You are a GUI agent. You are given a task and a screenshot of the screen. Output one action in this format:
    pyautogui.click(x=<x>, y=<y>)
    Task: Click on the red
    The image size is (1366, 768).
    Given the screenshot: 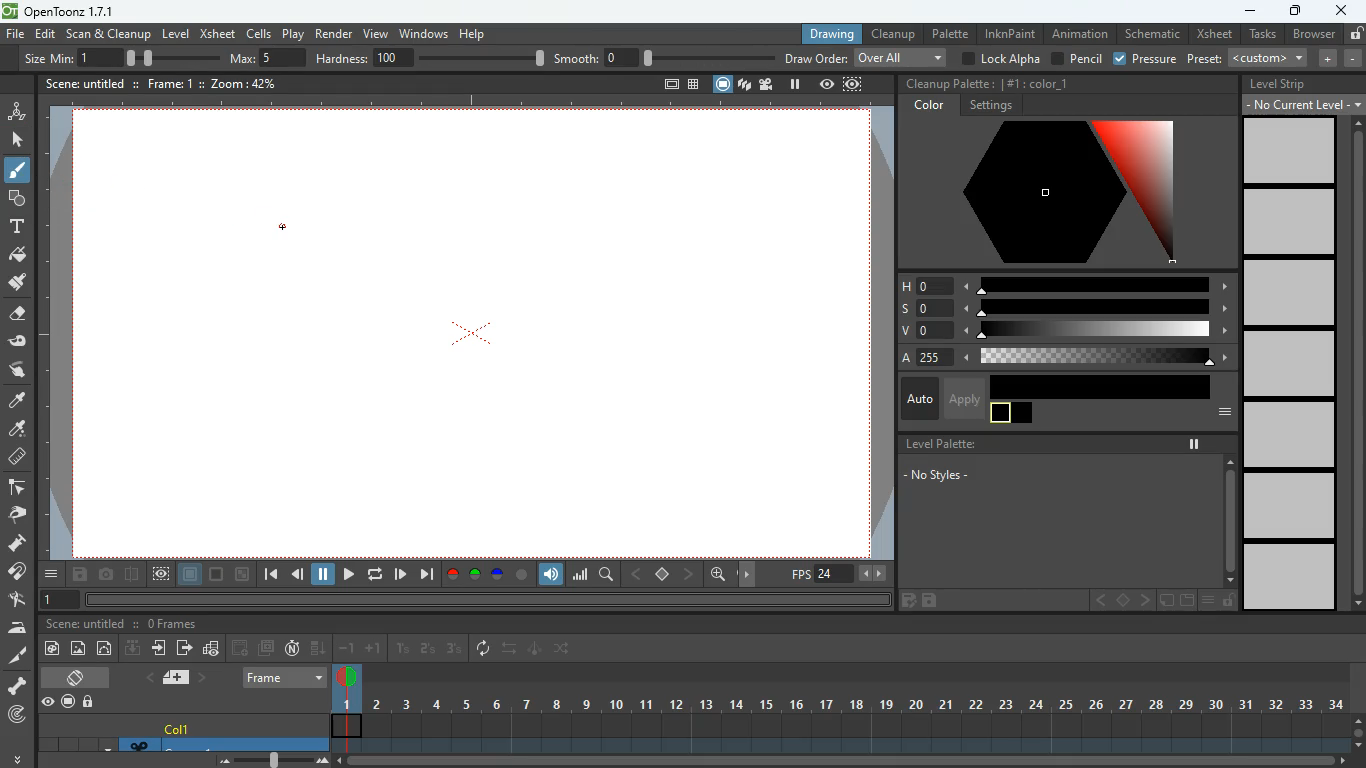 What is the action you would take?
    pyautogui.click(x=452, y=575)
    